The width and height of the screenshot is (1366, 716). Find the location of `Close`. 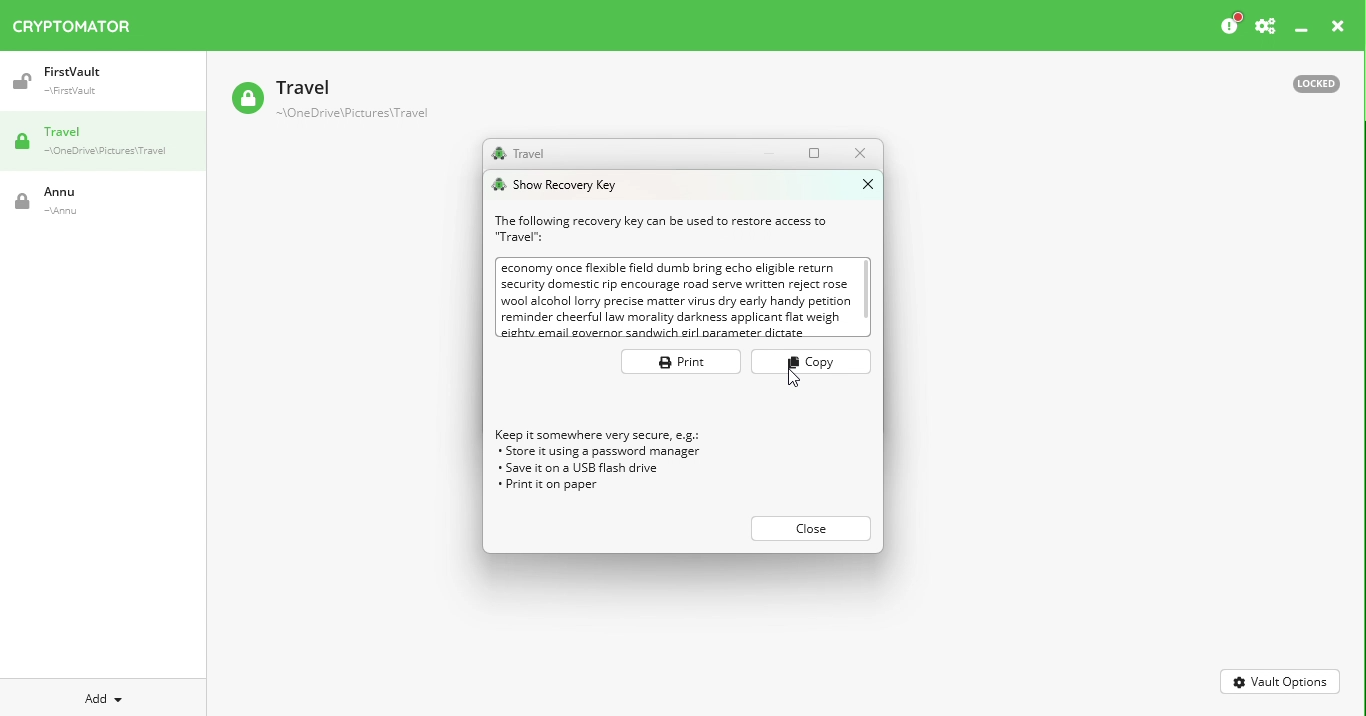

Close is located at coordinates (1338, 29).